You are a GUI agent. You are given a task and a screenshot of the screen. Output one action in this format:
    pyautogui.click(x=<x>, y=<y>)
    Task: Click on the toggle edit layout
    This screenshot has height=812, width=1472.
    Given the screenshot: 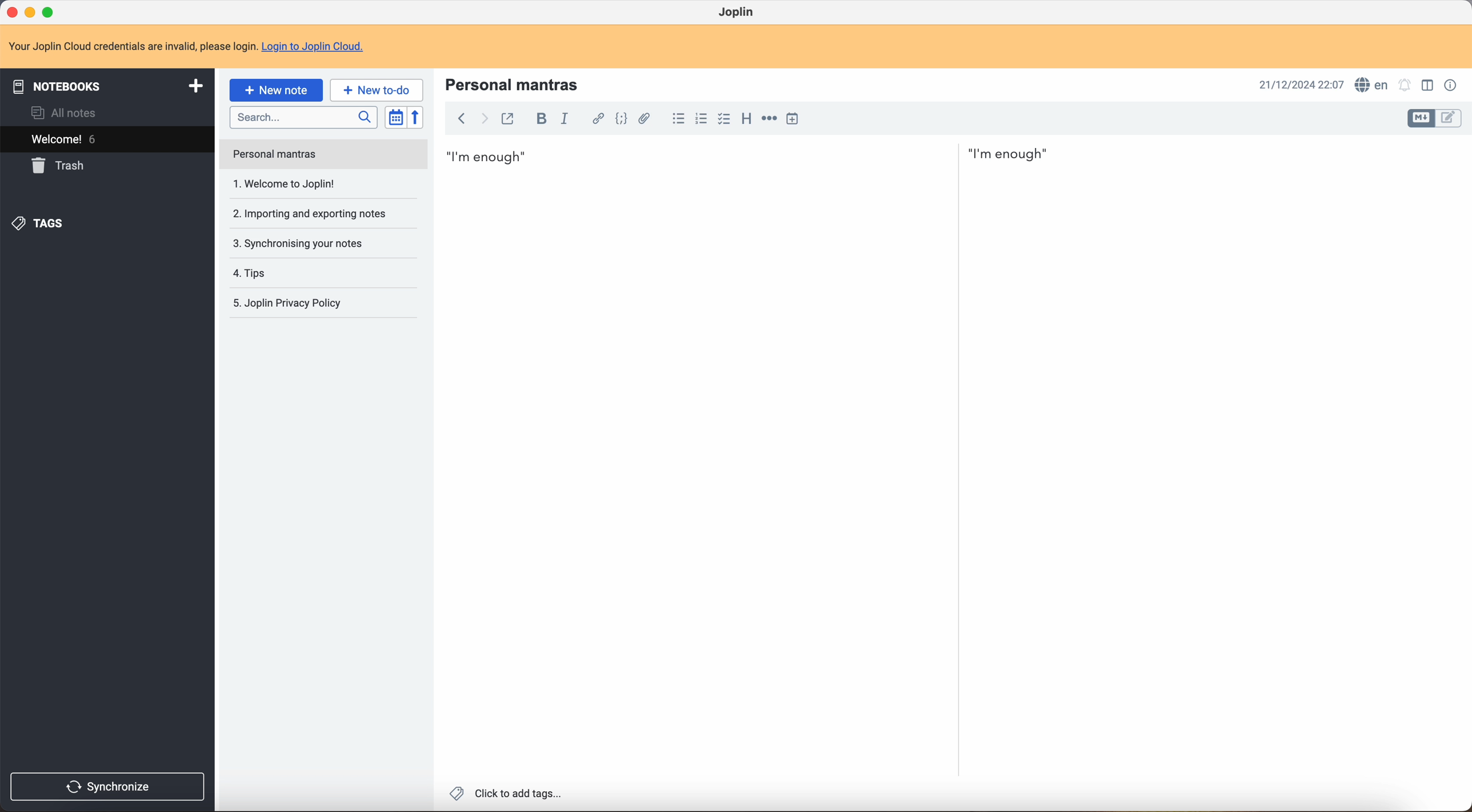 What is the action you would take?
    pyautogui.click(x=1430, y=85)
    